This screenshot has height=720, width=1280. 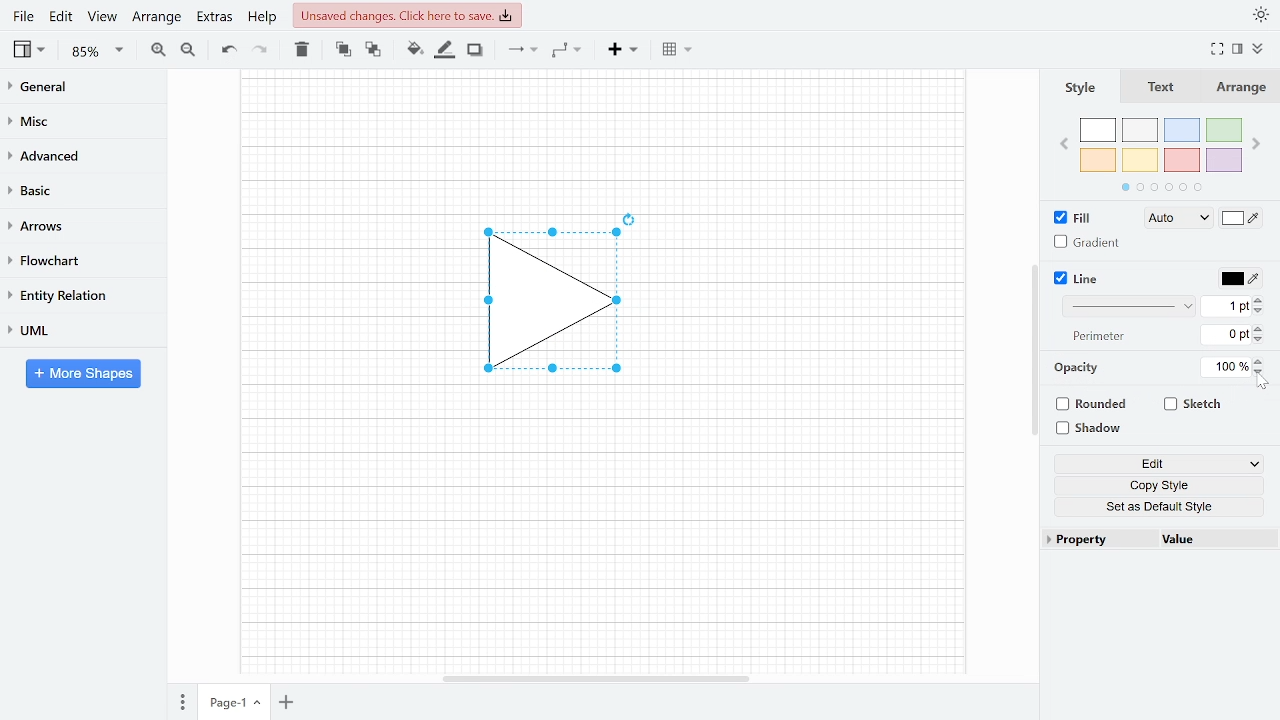 I want to click on ash, so click(x=1142, y=131).